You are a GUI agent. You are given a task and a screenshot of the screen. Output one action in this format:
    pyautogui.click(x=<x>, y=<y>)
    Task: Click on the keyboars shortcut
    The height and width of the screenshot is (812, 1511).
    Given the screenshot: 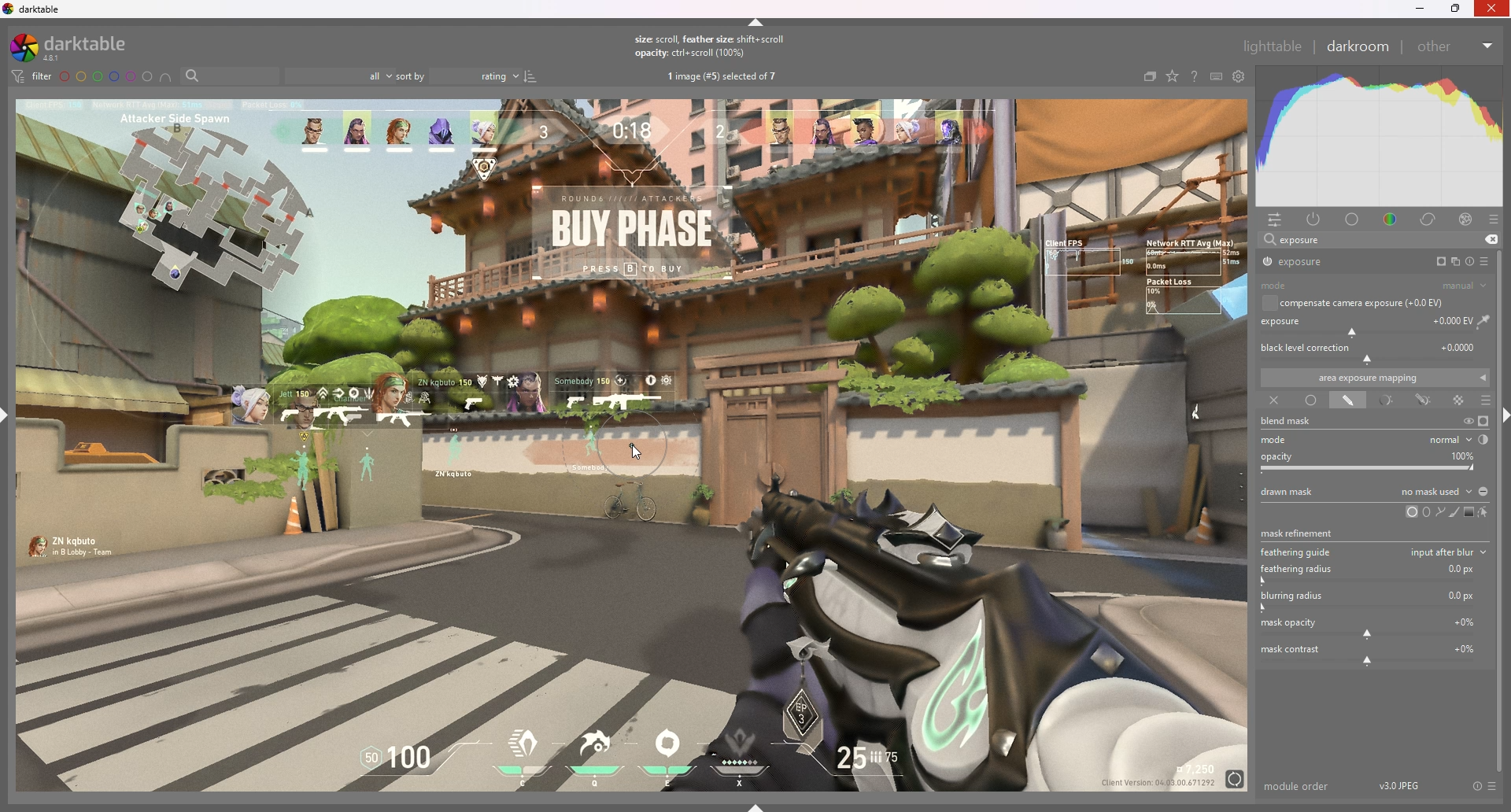 What is the action you would take?
    pyautogui.click(x=1215, y=76)
    